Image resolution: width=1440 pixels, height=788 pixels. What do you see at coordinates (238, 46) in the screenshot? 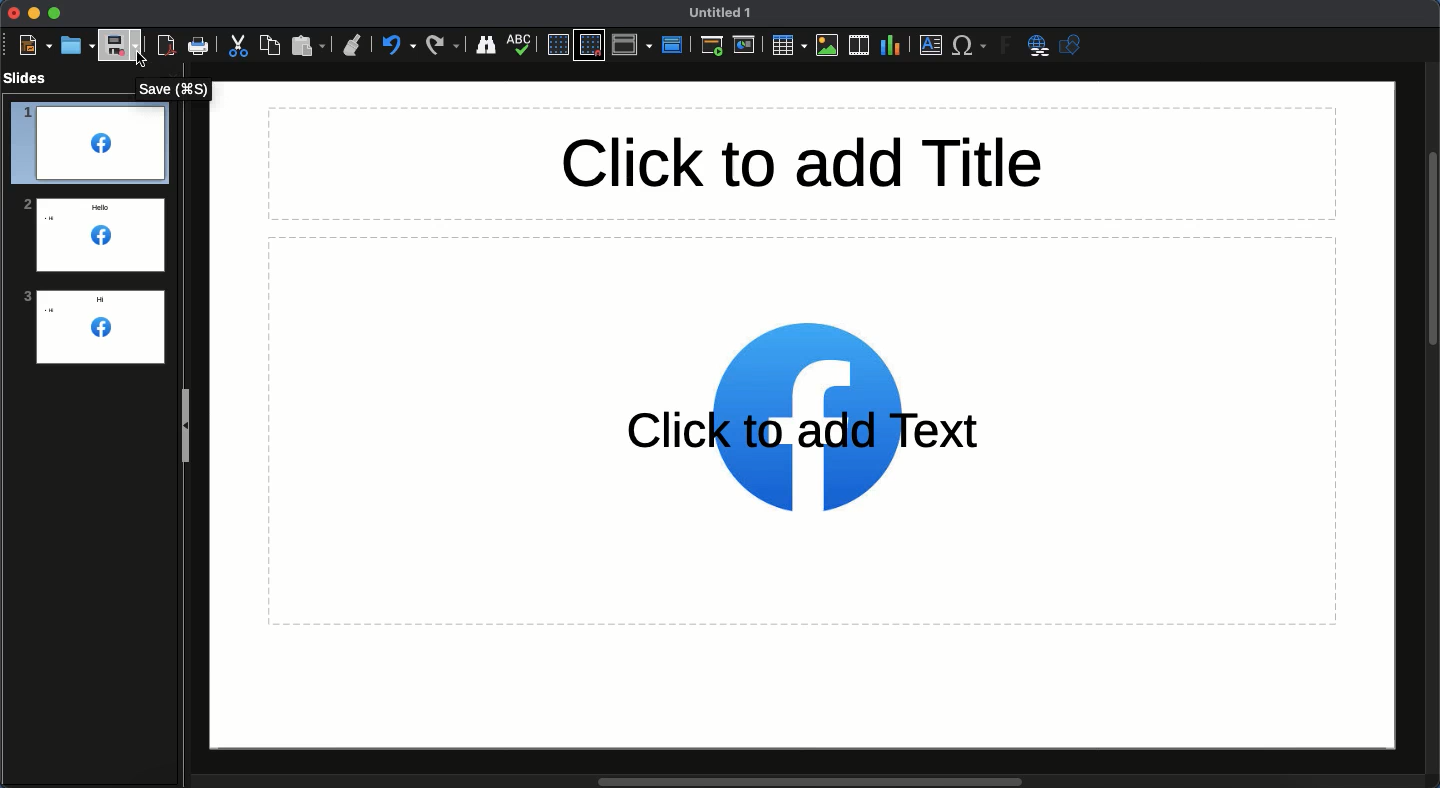
I see `Cut` at bounding box center [238, 46].